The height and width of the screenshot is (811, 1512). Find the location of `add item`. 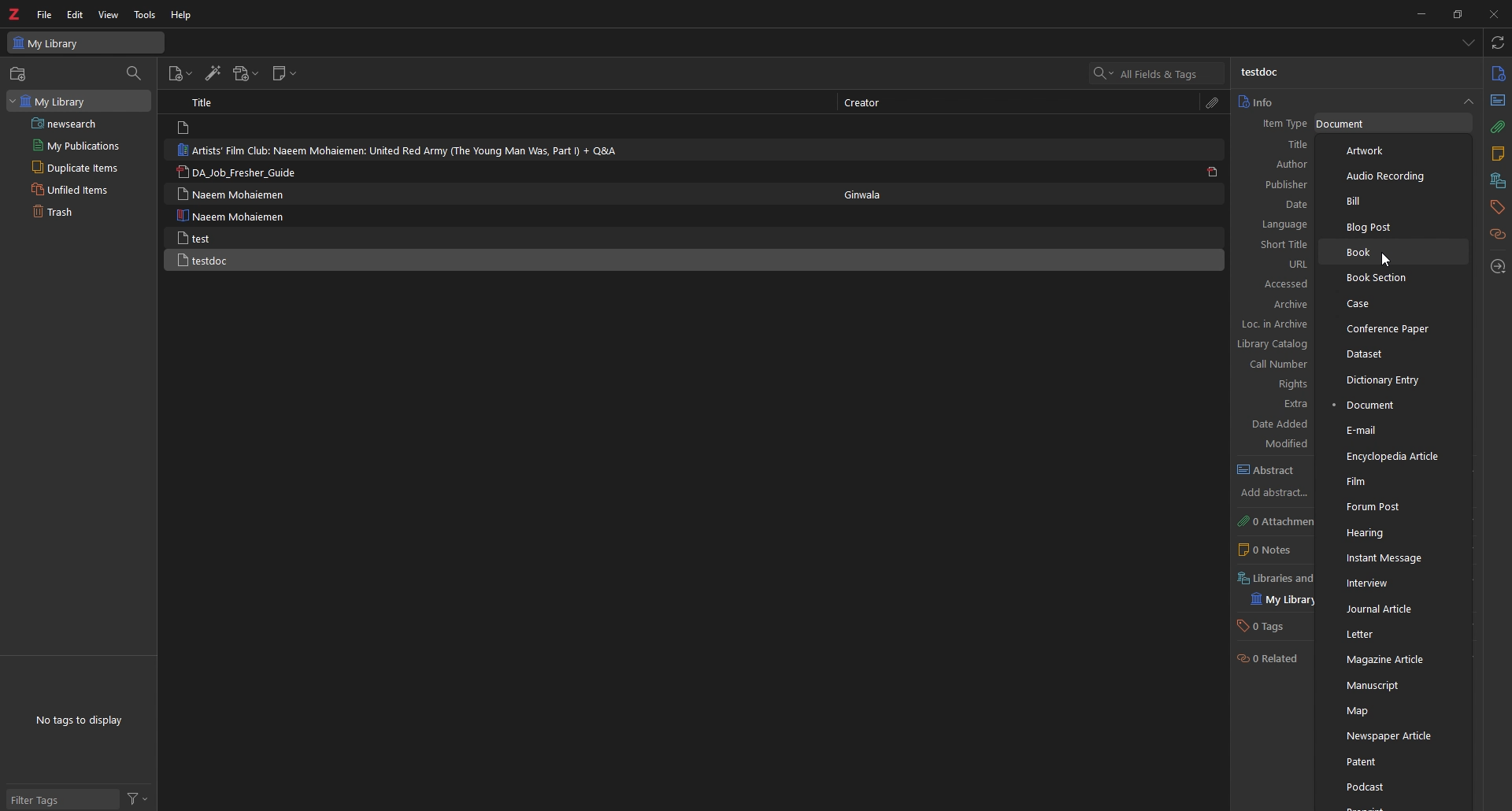

add item is located at coordinates (180, 74).